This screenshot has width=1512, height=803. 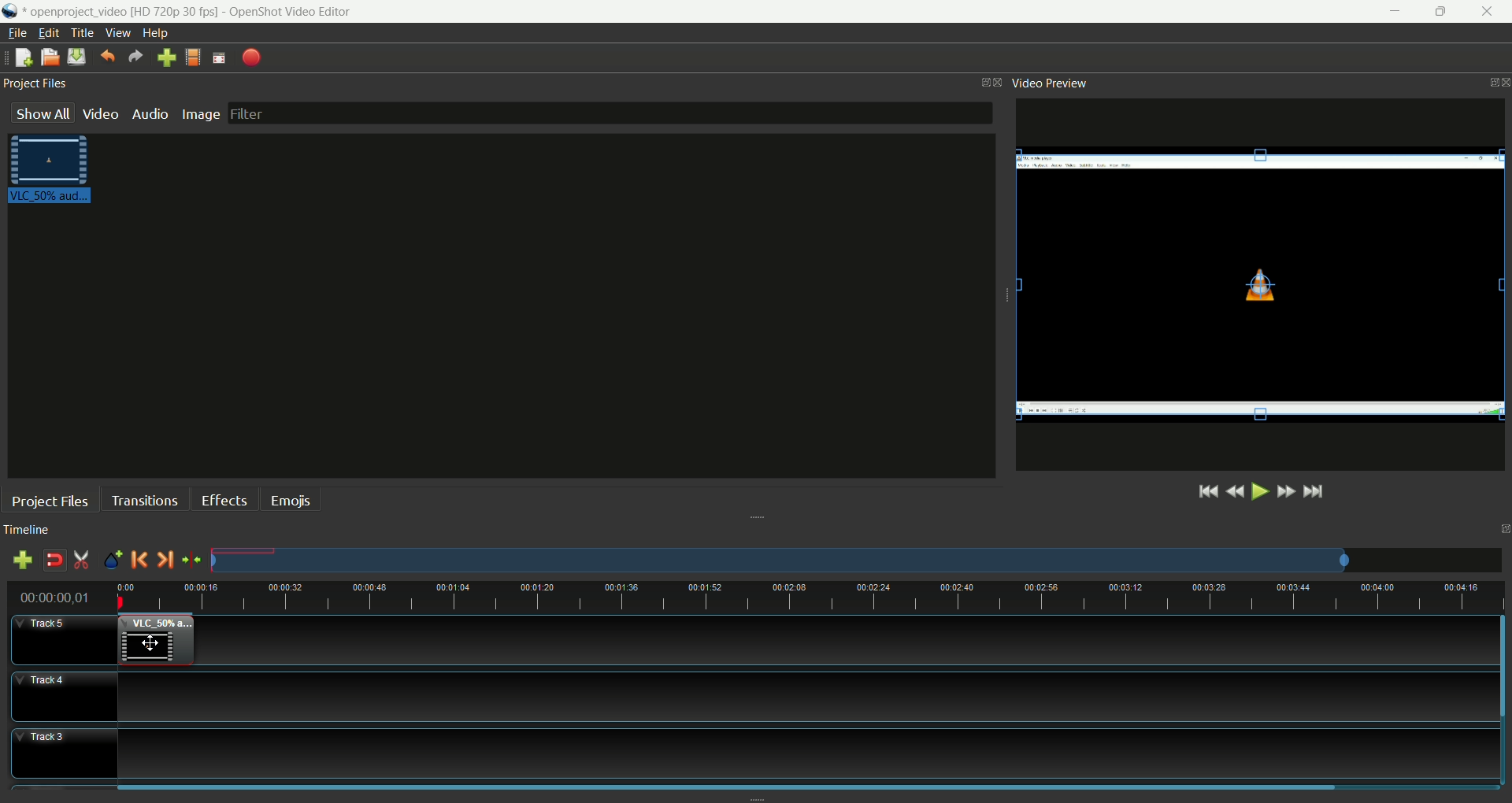 What do you see at coordinates (135, 58) in the screenshot?
I see `redo` at bounding box center [135, 58].